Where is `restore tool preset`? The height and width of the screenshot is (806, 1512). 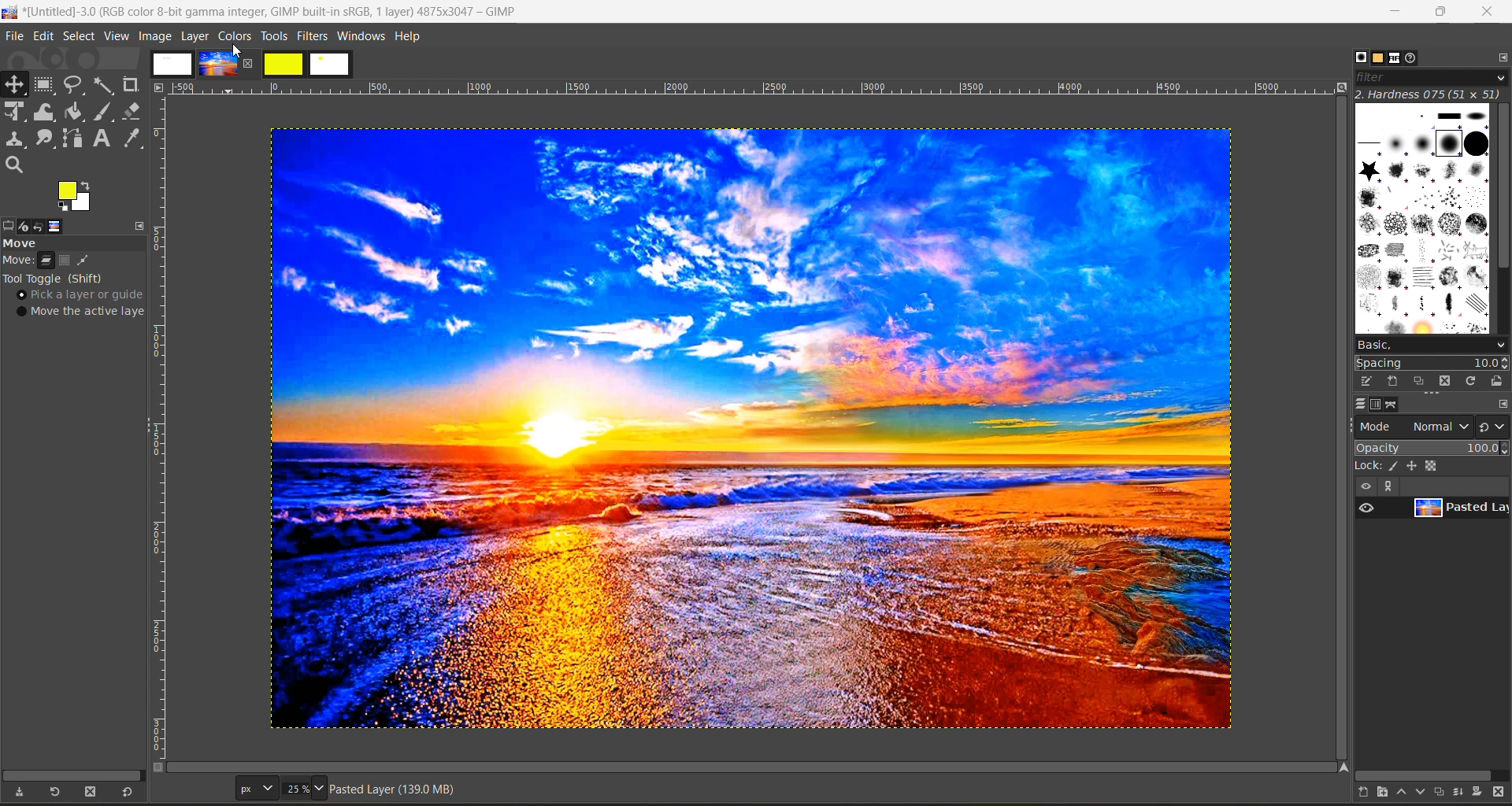
restore tool preset is located at coordinates (52, 793).